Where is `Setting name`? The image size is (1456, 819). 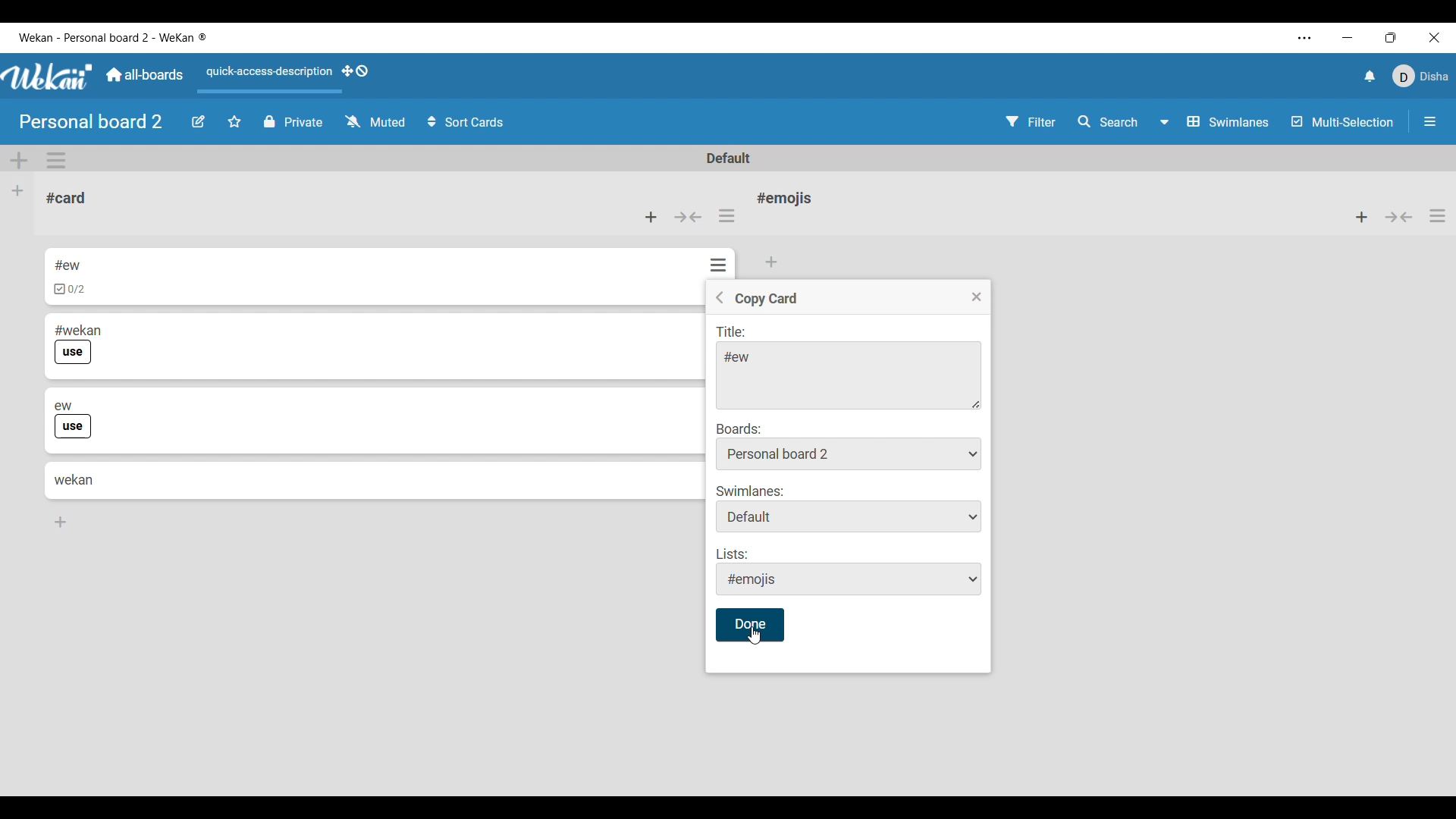 Setting name is located at coordinates (766, 300).